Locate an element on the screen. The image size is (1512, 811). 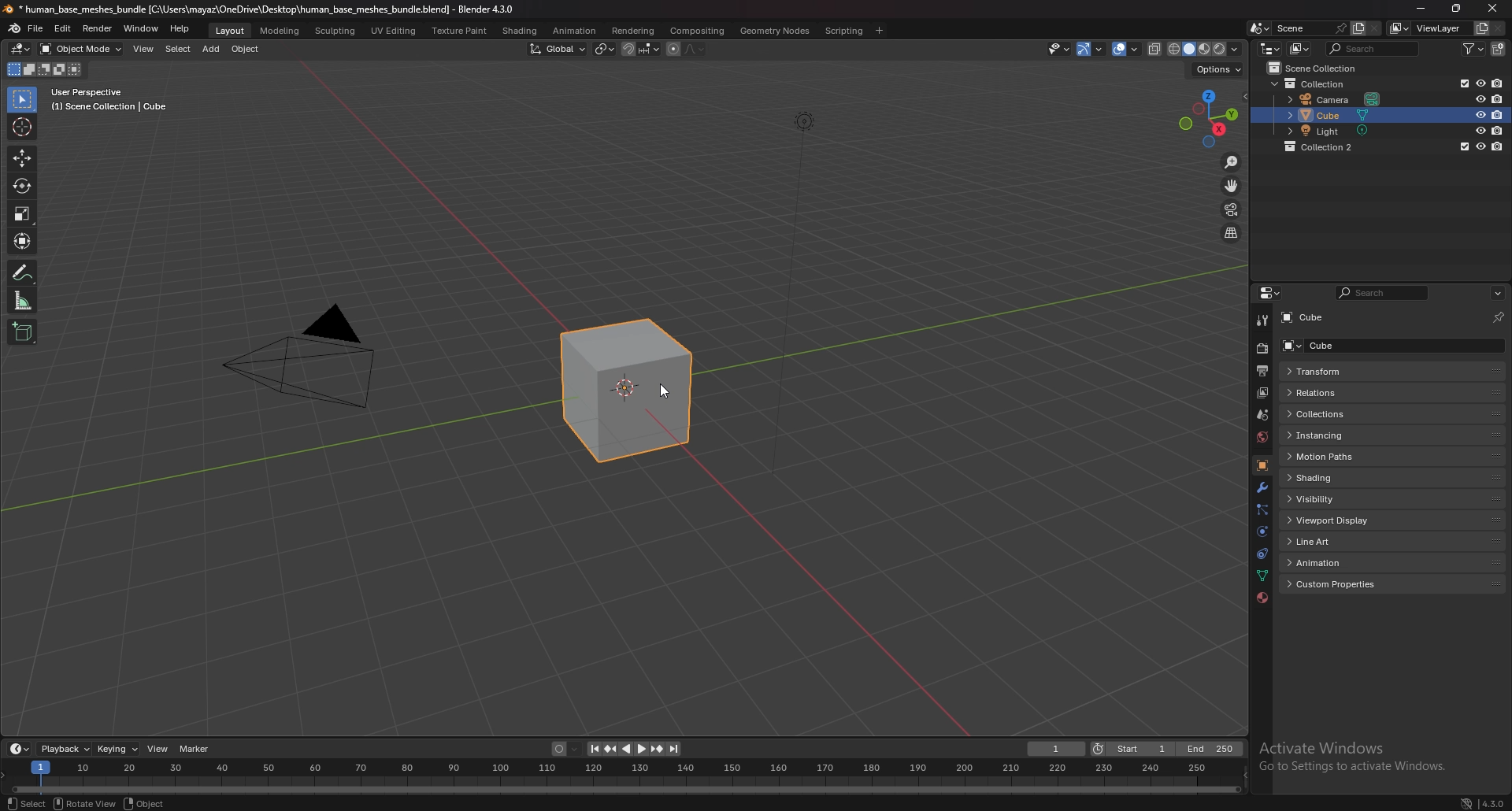
physics is located at coordinates (1263, 531).